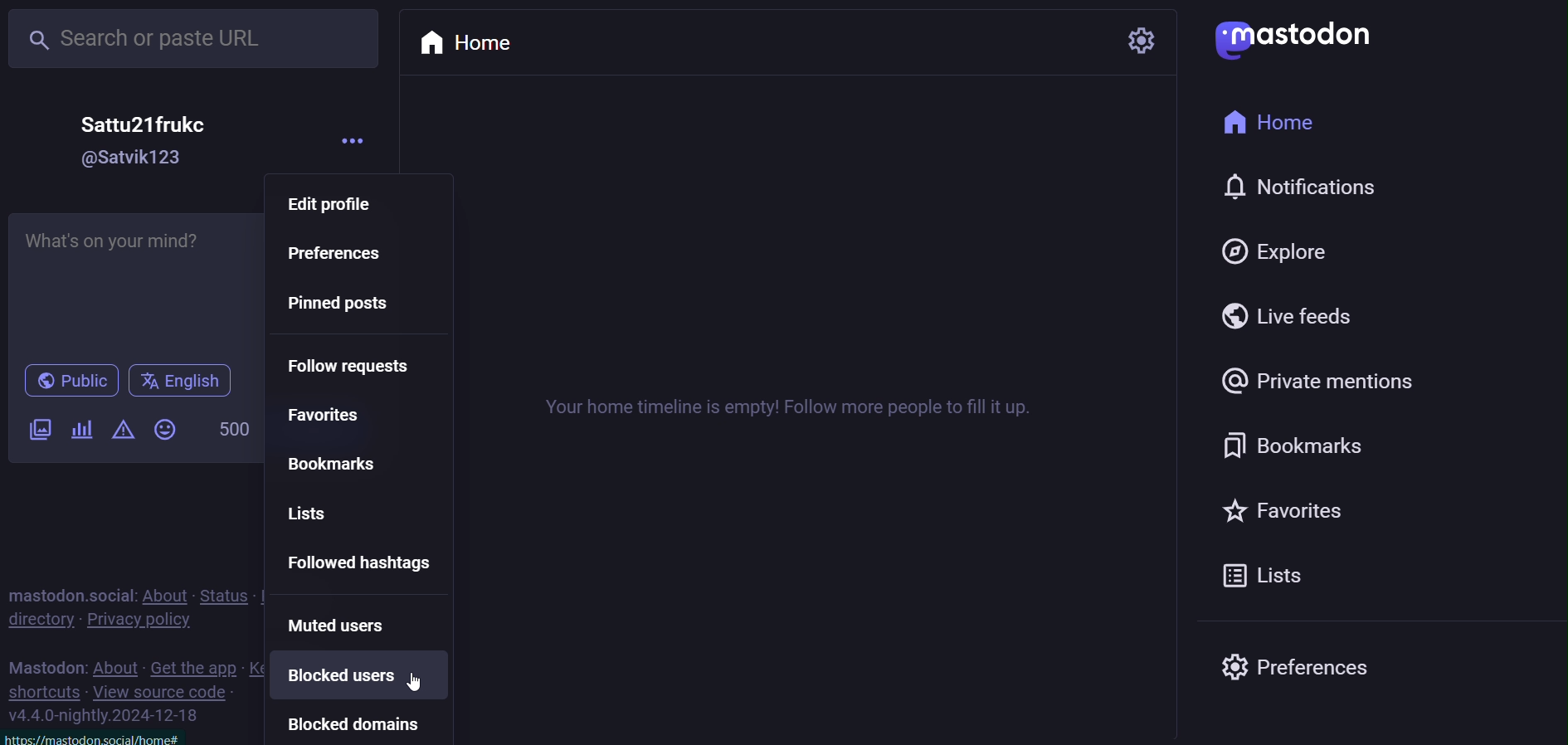  What do you see at coordinates (477, 39) in the screenshot?
I see `home tab` at bounding box center [477, 39].